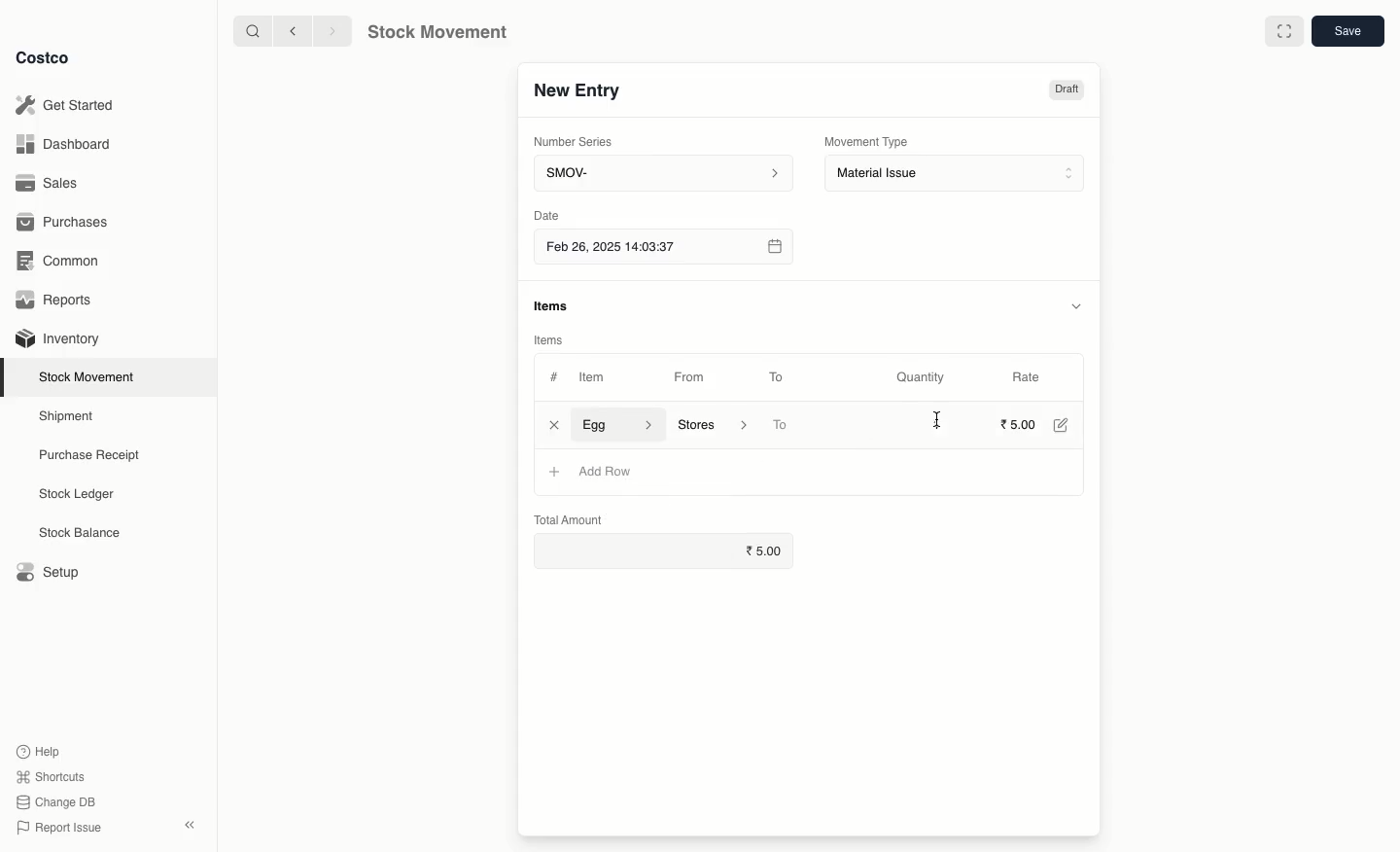 This screenshot has width=1400, height=852. Describe the element at coordinates (65, 146) in the screenshot. I see `Dashboard` at that location.